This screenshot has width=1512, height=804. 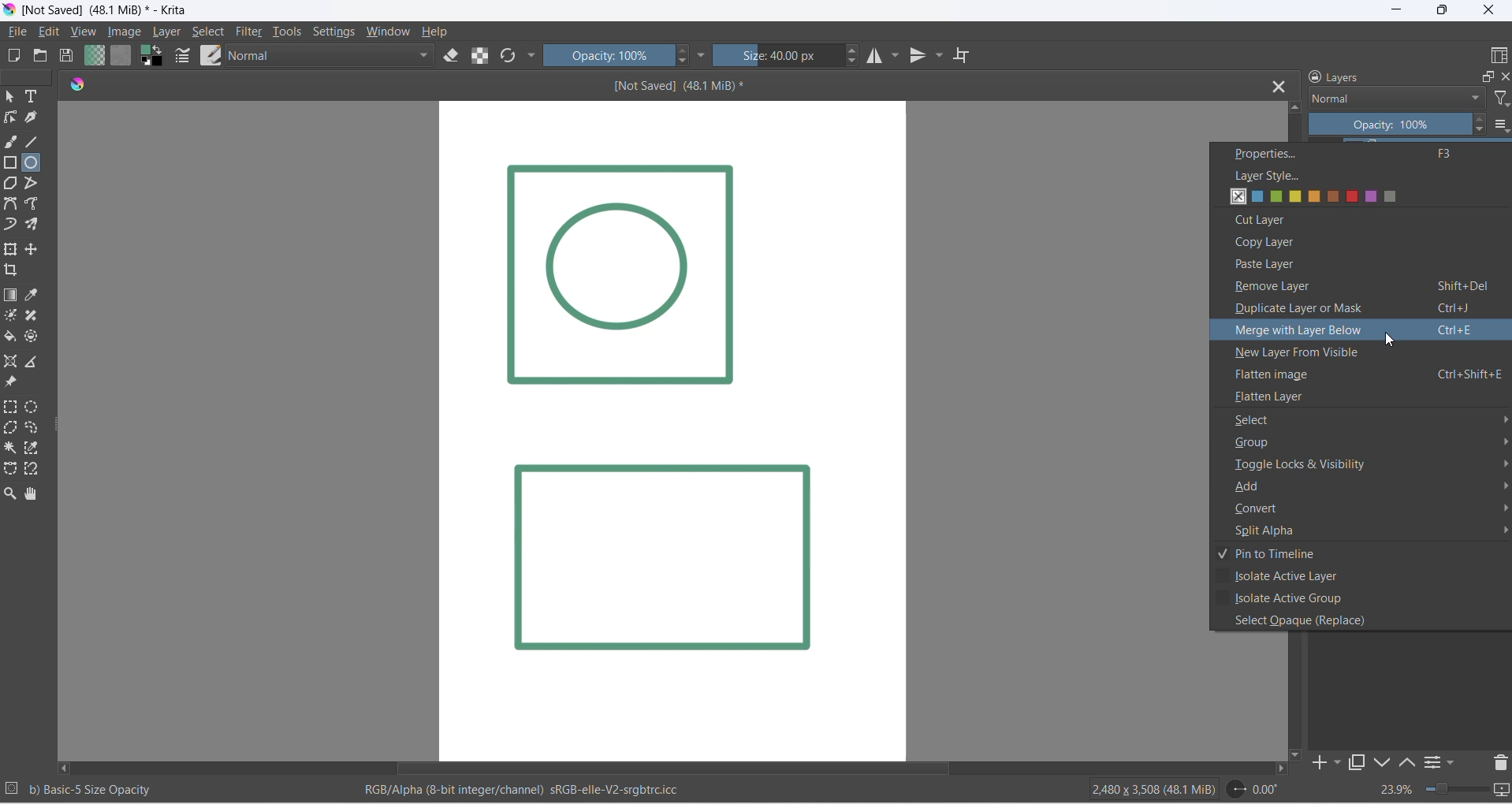 I want to click on layer type, so click(x=1395, y=98).